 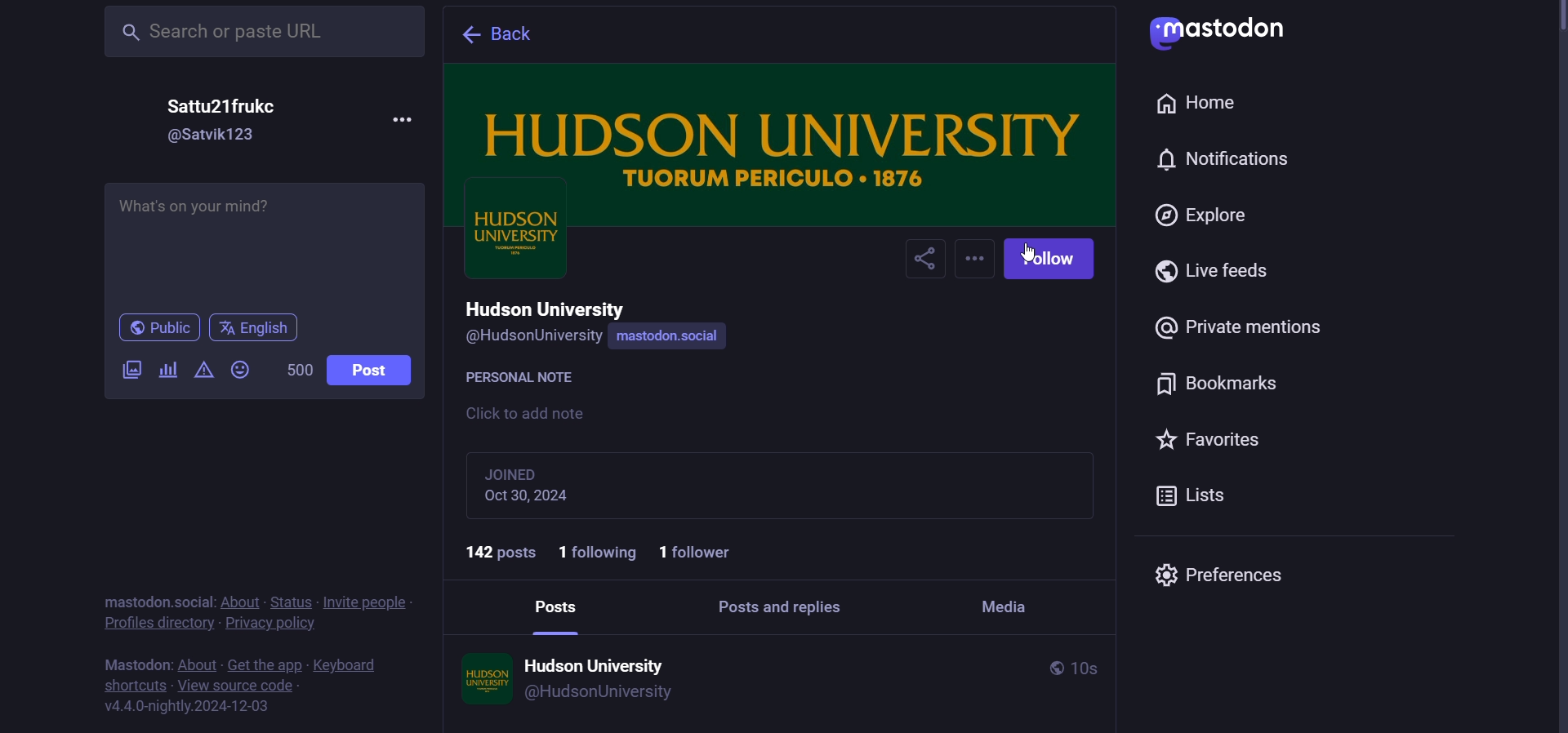 What do you see at coordinates (272, 625) in the screenshot?
I see `privacy policy` at bounding box center [272, 625].